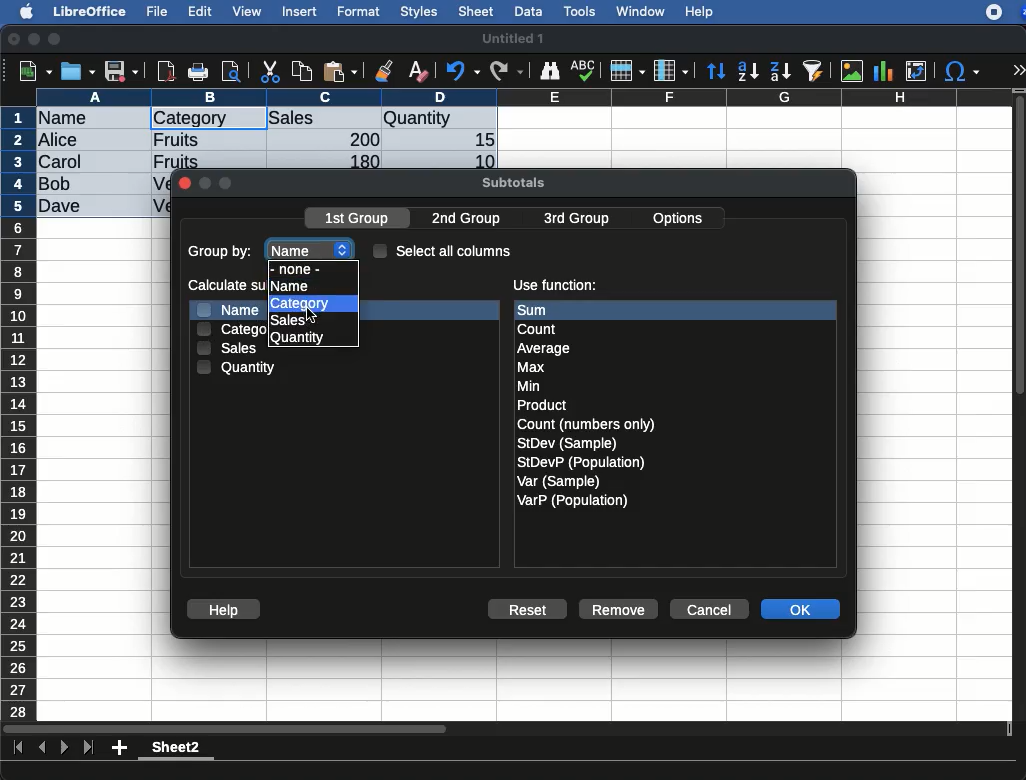 The image size is (1026, 780). I want to click on first sheet, so click(20, 748).